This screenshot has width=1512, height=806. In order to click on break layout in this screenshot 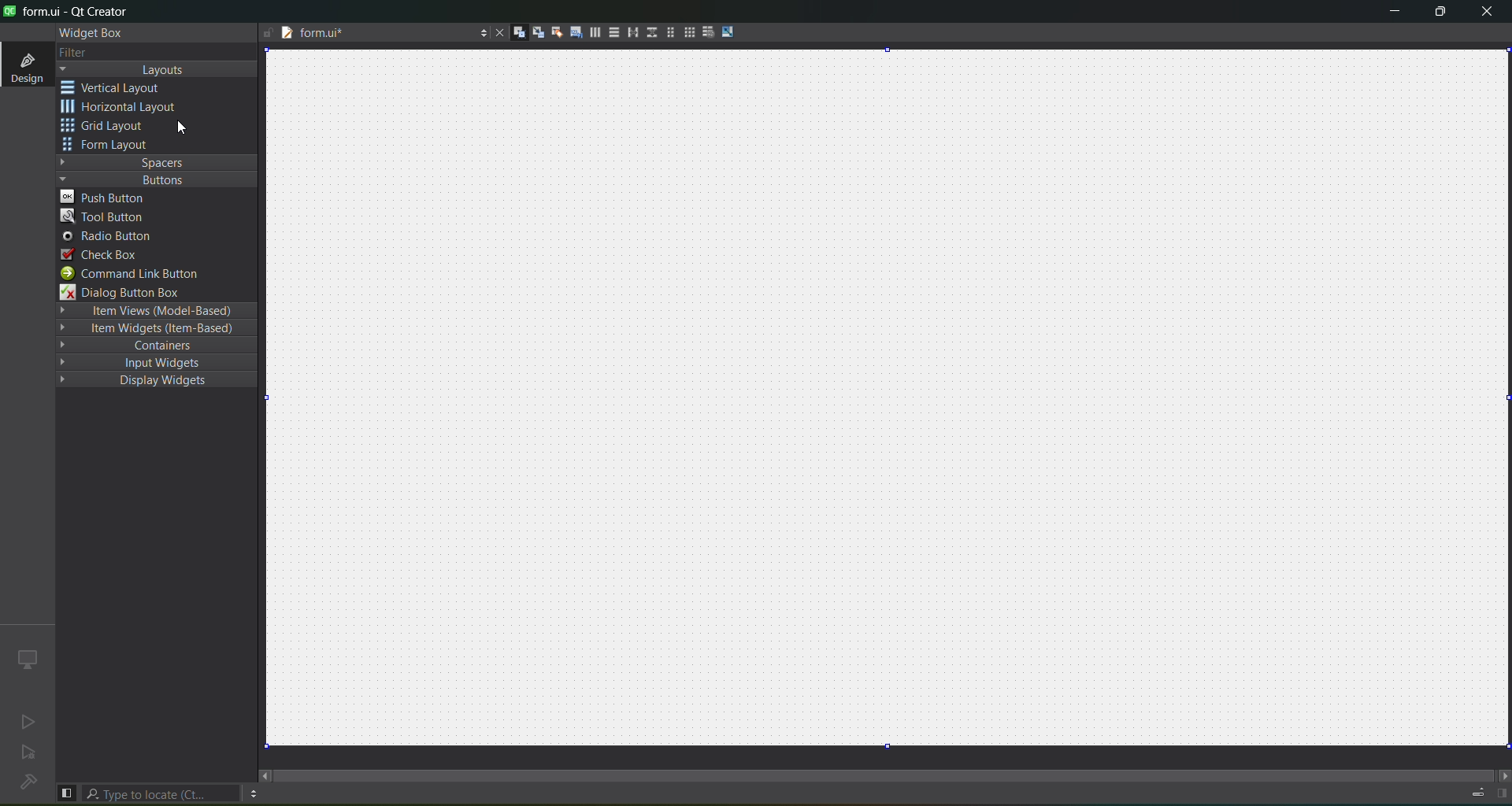, I will do `click(708, 31)`.